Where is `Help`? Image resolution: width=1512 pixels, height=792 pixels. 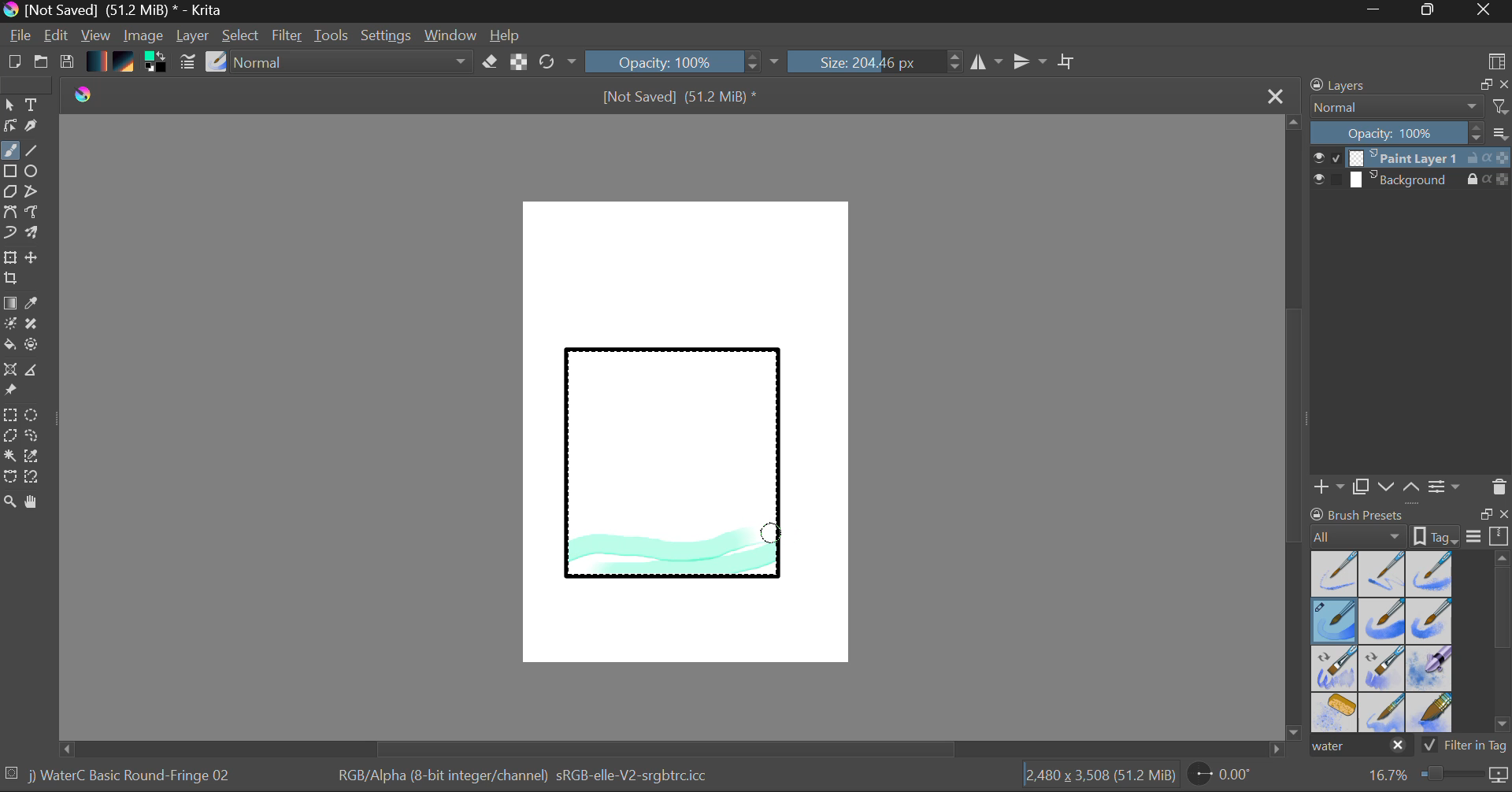
Help is located at coordinates (506, 35).